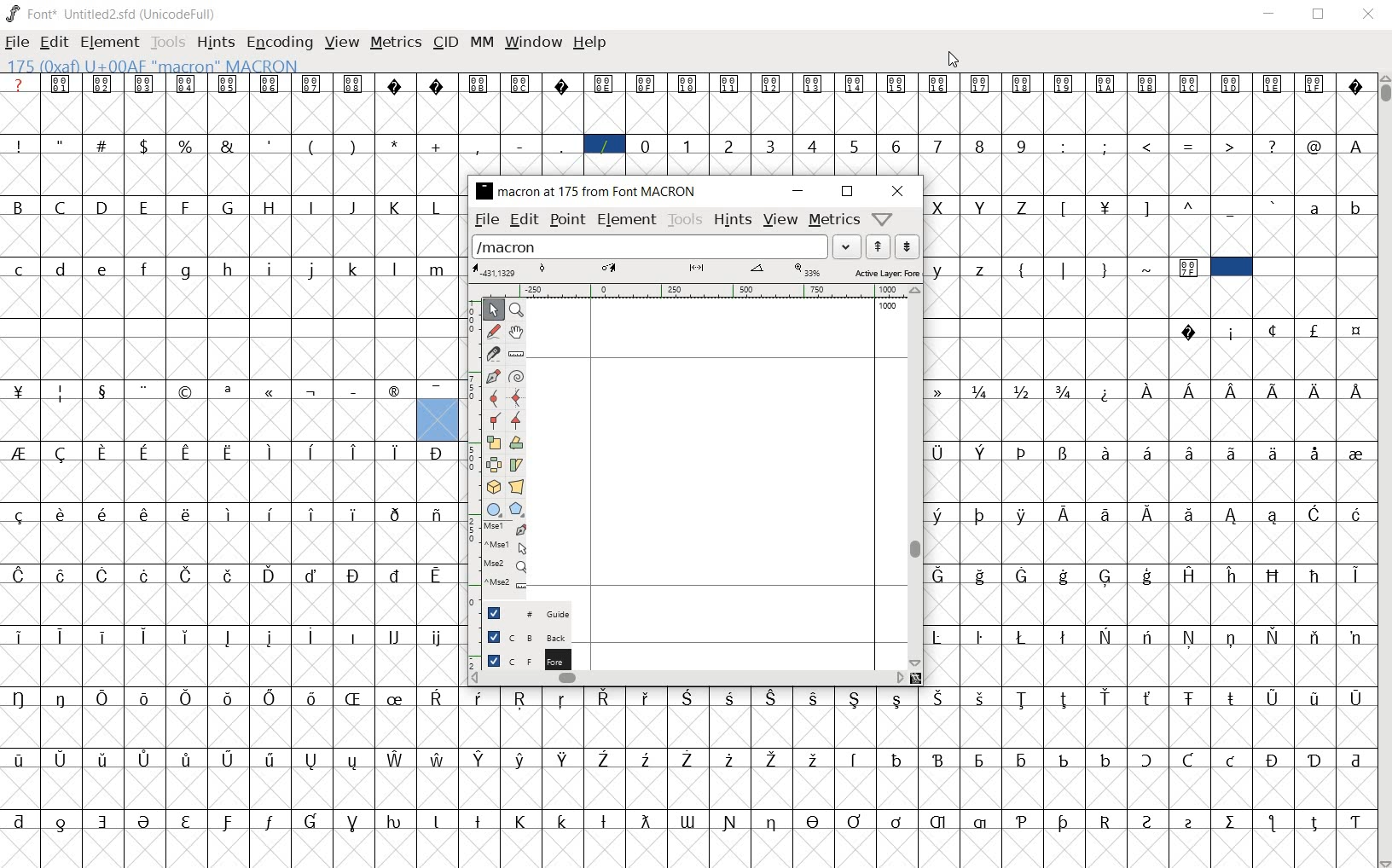 The image size is (1392, 868). Describe the element at coordinates (356, 451) in the screenshot. I see `Symbol` at that location.